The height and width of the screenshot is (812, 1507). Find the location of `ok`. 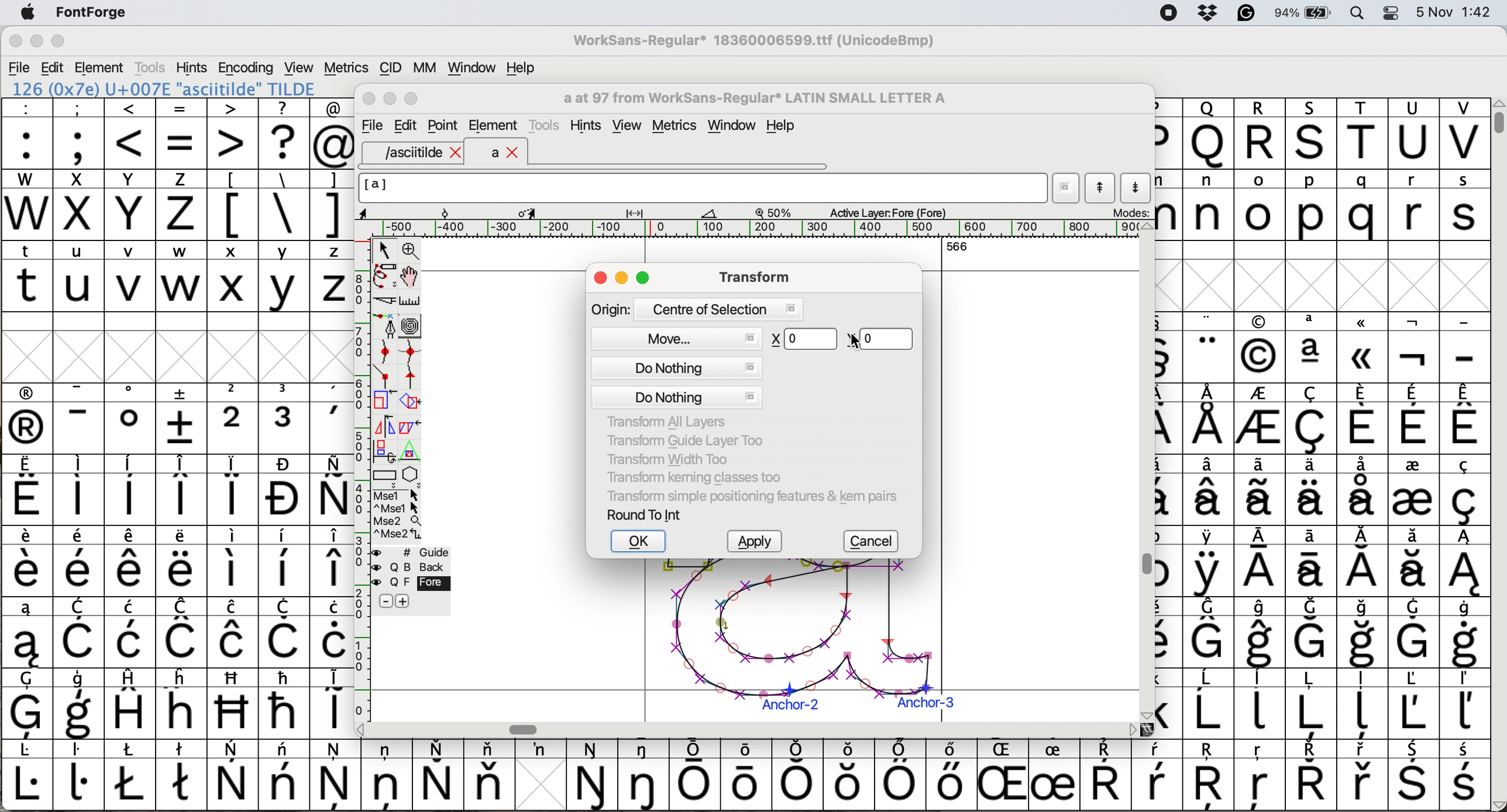

ok is located at coordinates (640, 542).